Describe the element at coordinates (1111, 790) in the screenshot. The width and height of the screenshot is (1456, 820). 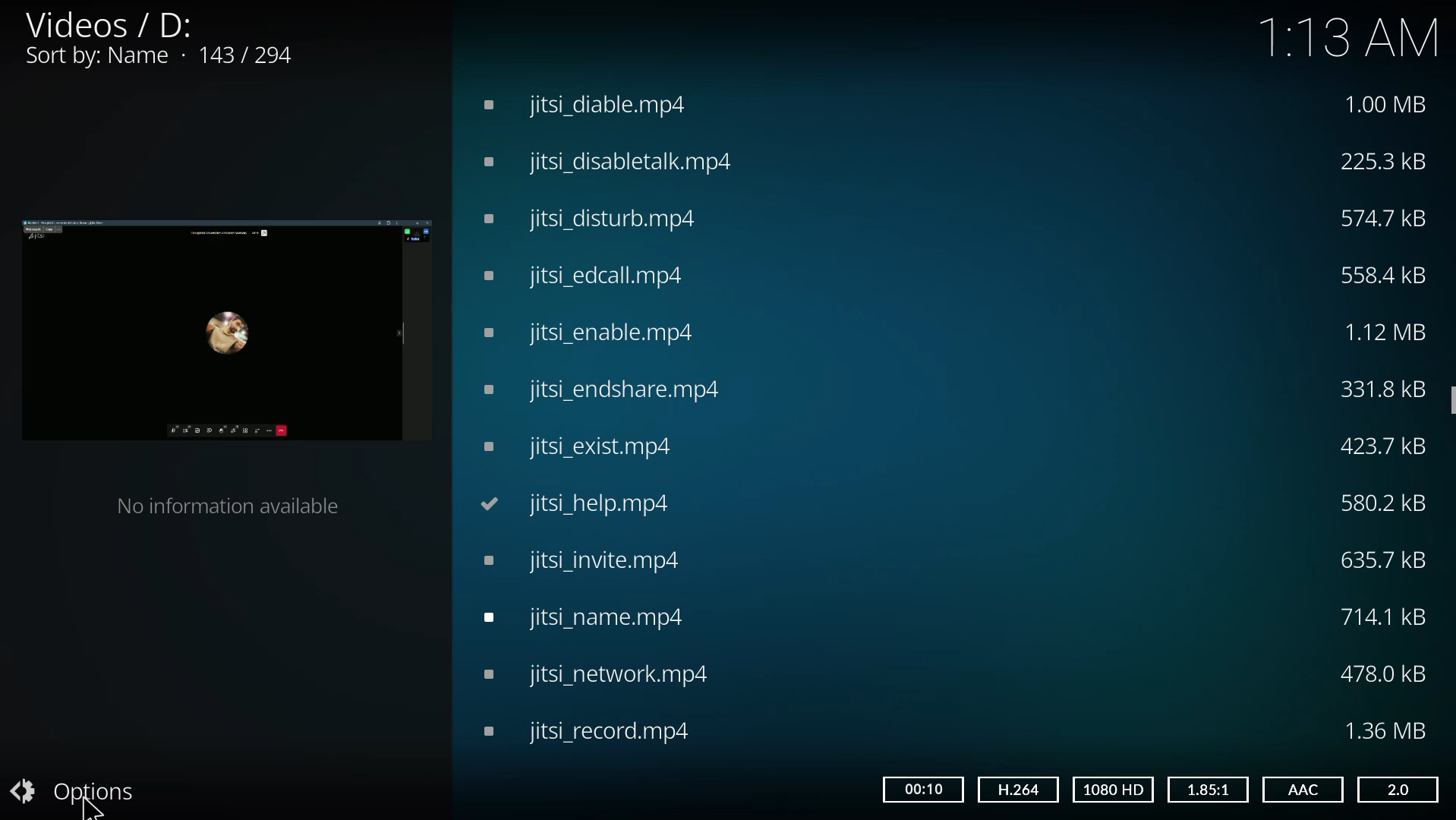
I see `hd` at that location.